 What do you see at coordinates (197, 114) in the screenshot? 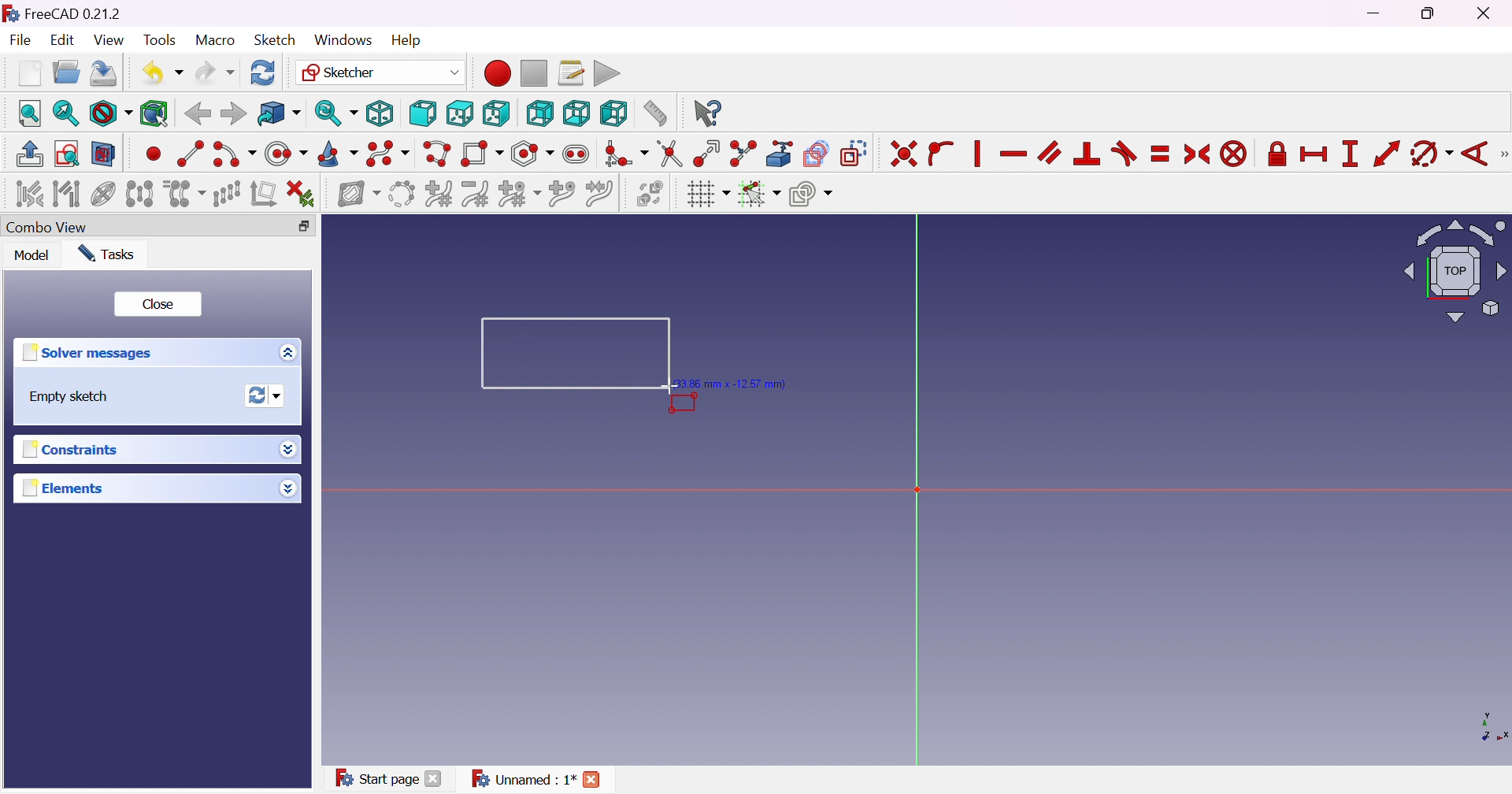
I see `Back` at bounding box center [197, 114].